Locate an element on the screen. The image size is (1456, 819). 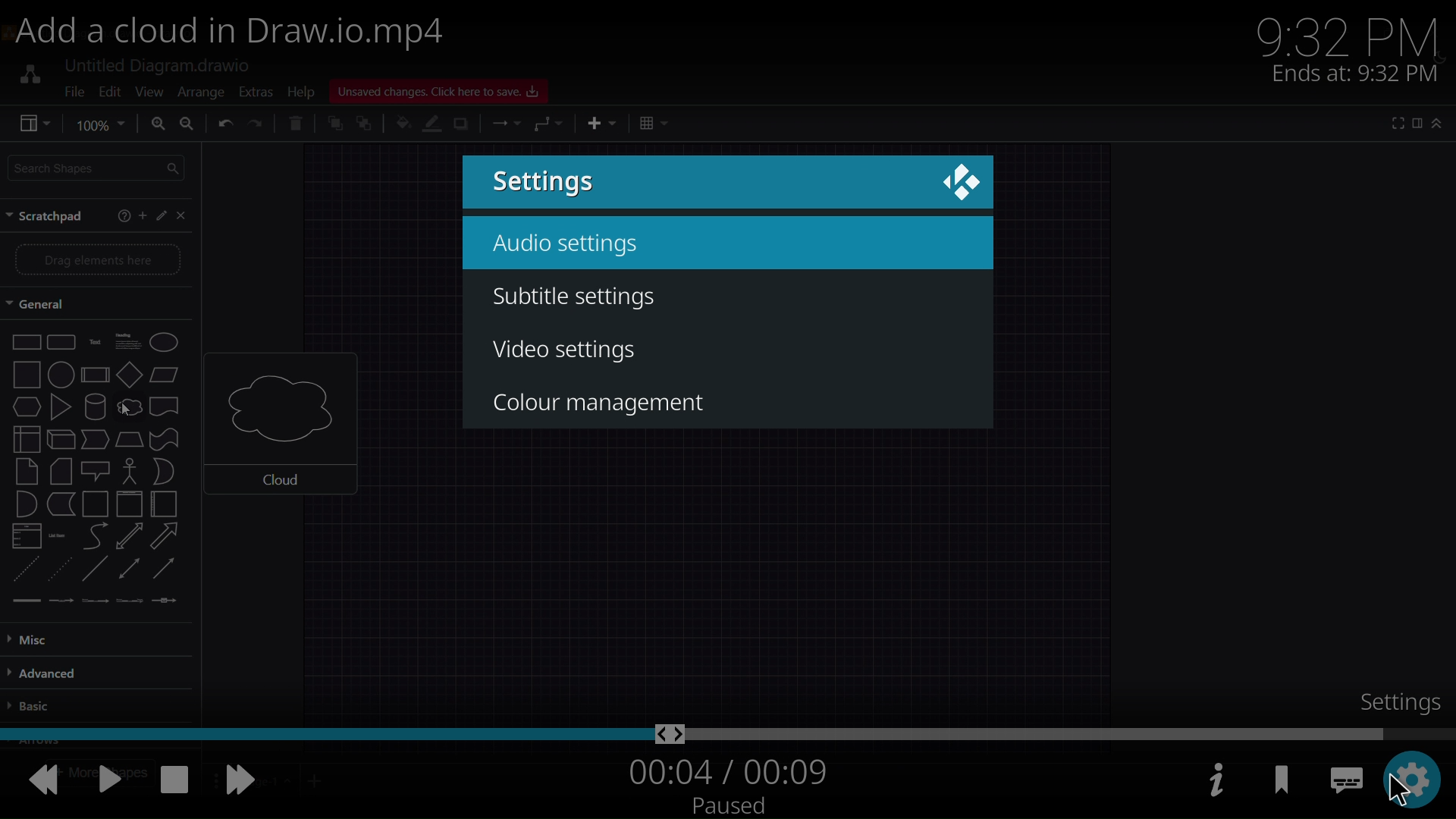
stop is located at coordinates (174, 779).